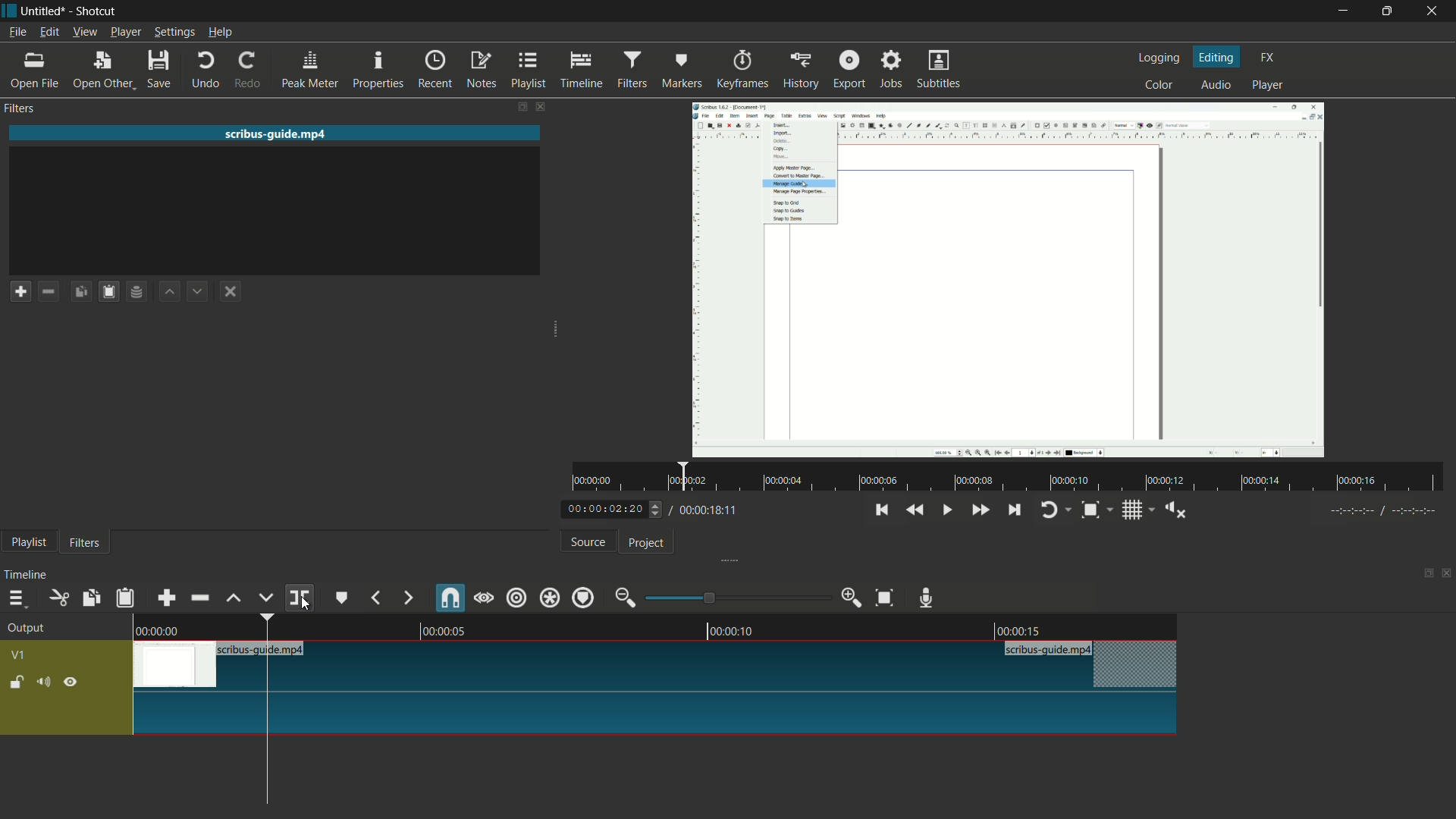 Image resolution: width=1456 pixels, height=819 pixels. Describe the element at coordinates (645, 543) in the screenshot. I see `project` at that location.